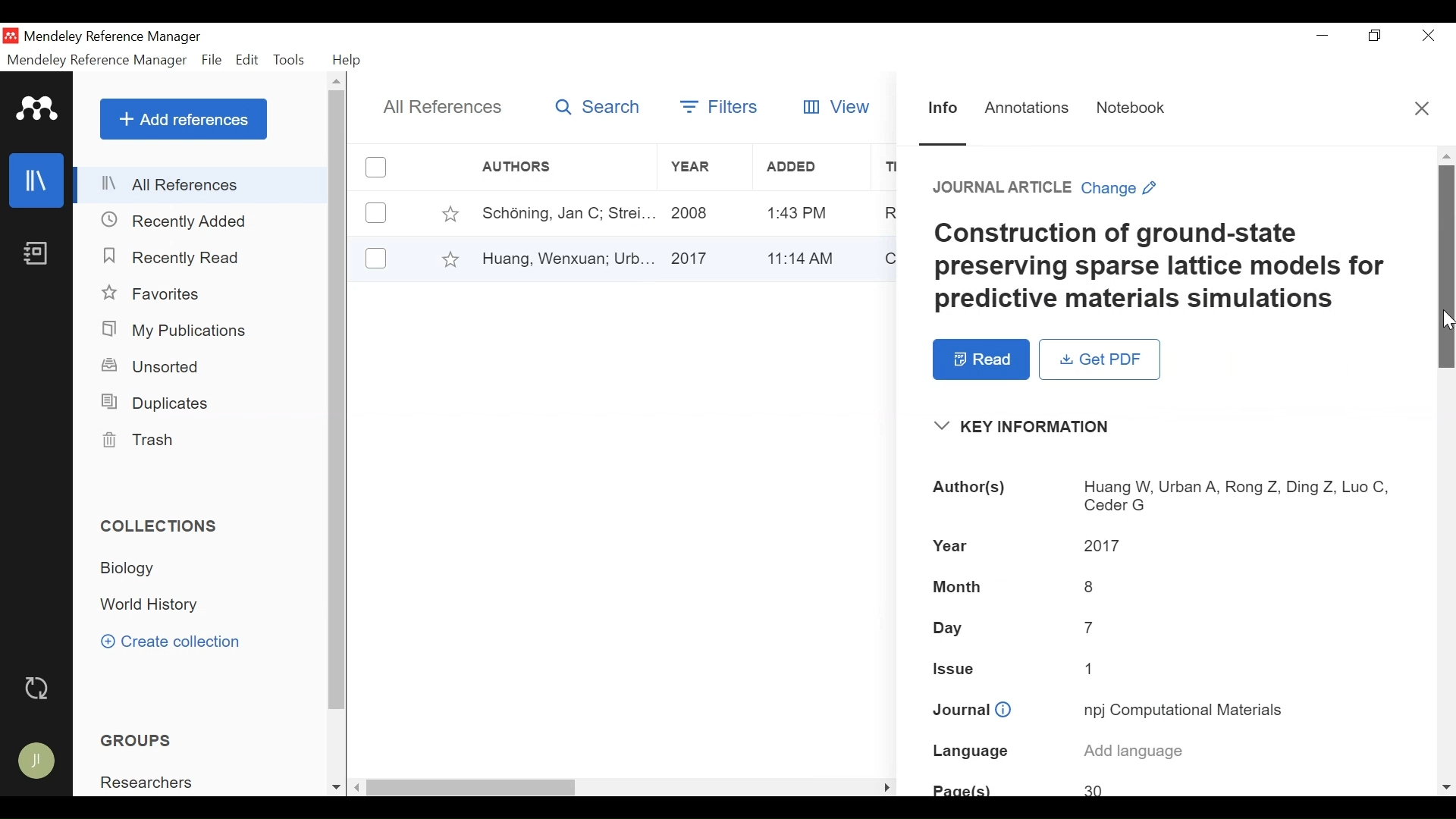 The width and height of the screenshot is (1456, 819). What do you see at coordinates (338, 400) in the screenshot?
I see `Vertical Scroll bar` at bounding box center [338, 400].